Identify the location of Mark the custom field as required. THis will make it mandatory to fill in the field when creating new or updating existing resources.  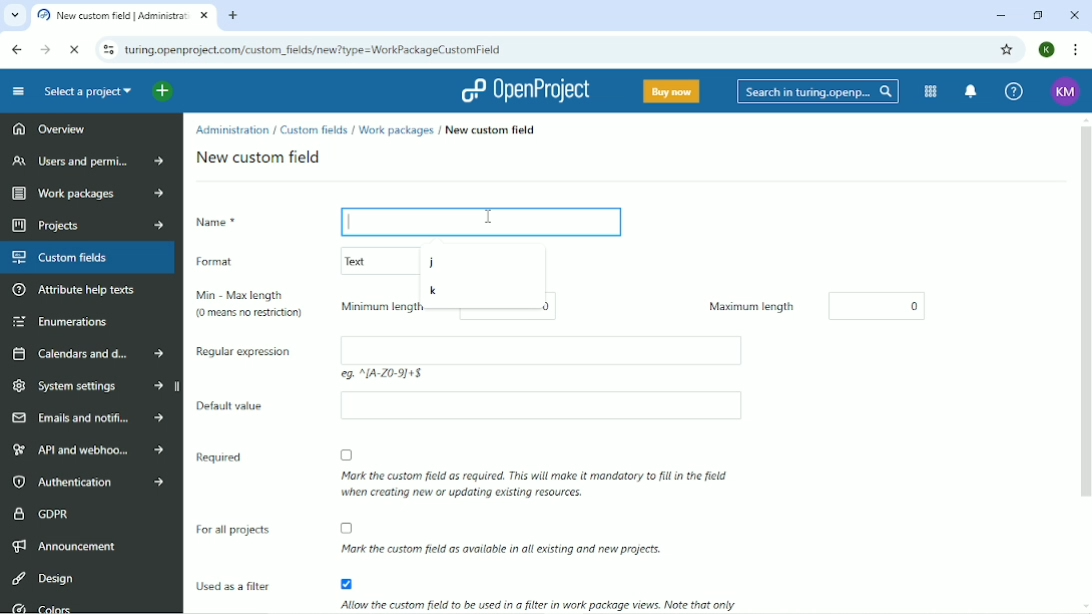
(525, 471).